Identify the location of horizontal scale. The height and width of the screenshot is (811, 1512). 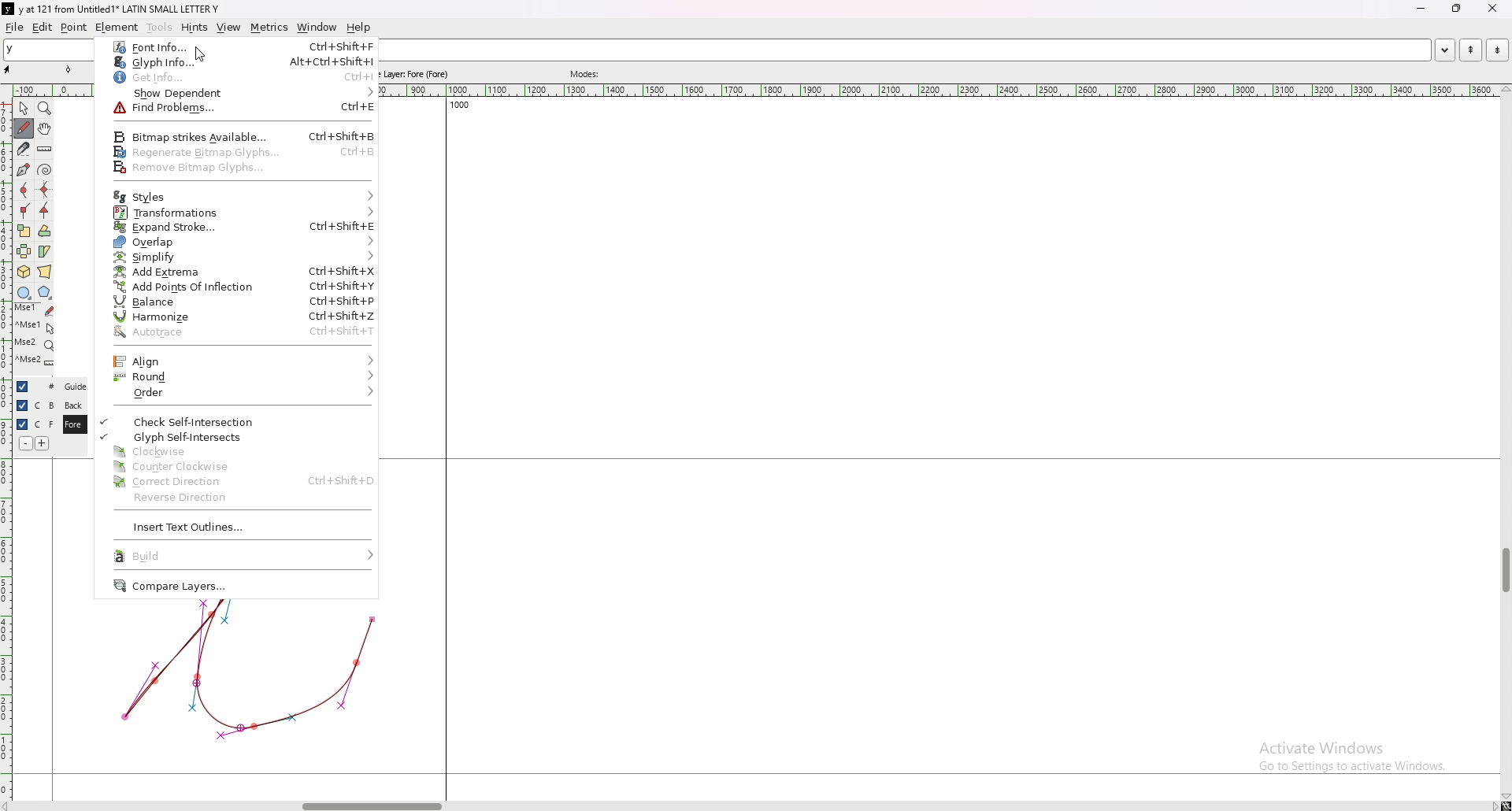
(938, 91).